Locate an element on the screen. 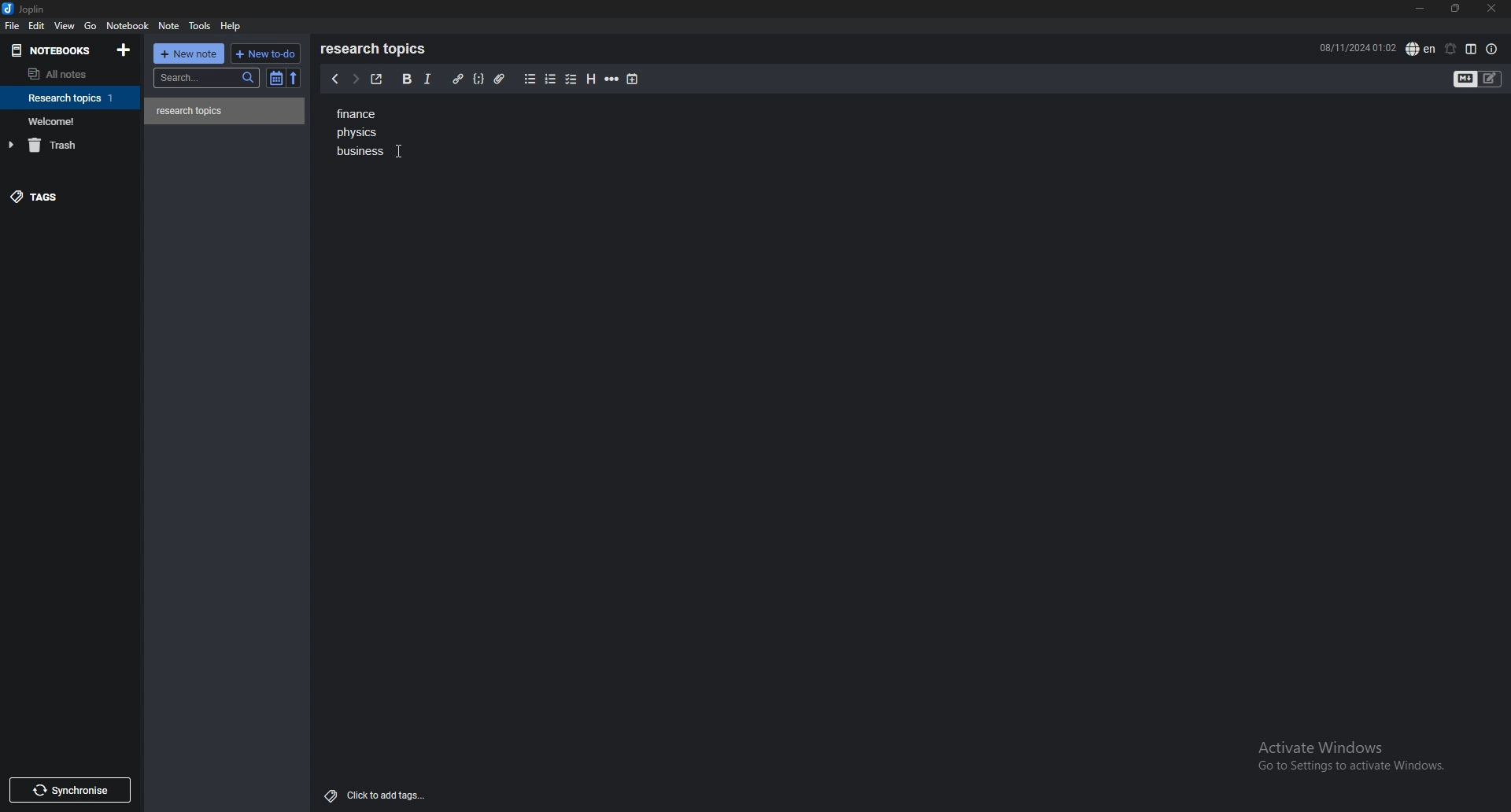 The image size is (1511, 812). checkbox is located at coordinates (571, 79).